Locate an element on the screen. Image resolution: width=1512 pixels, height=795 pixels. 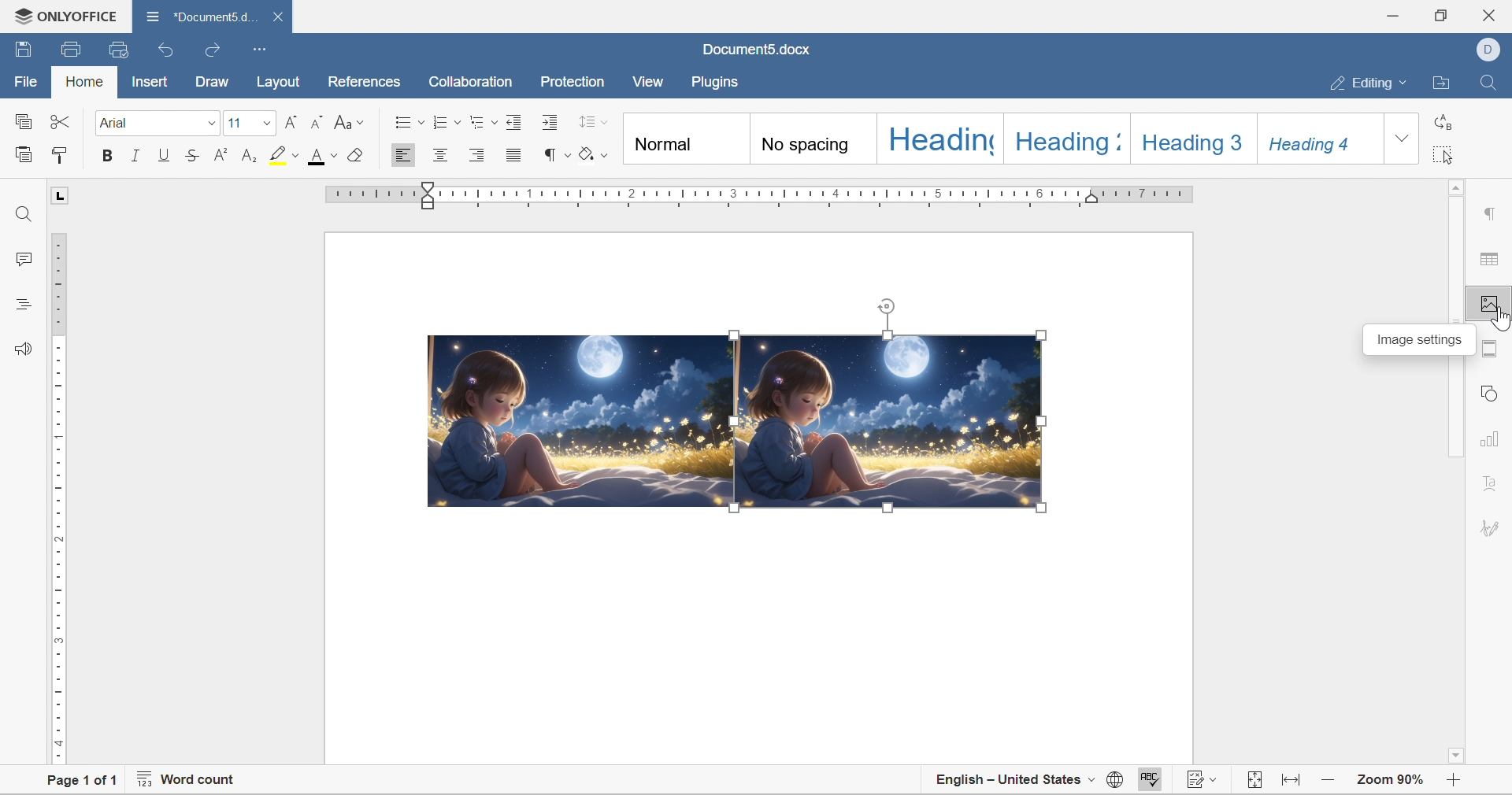
find is located at coordinates (1489, 83).